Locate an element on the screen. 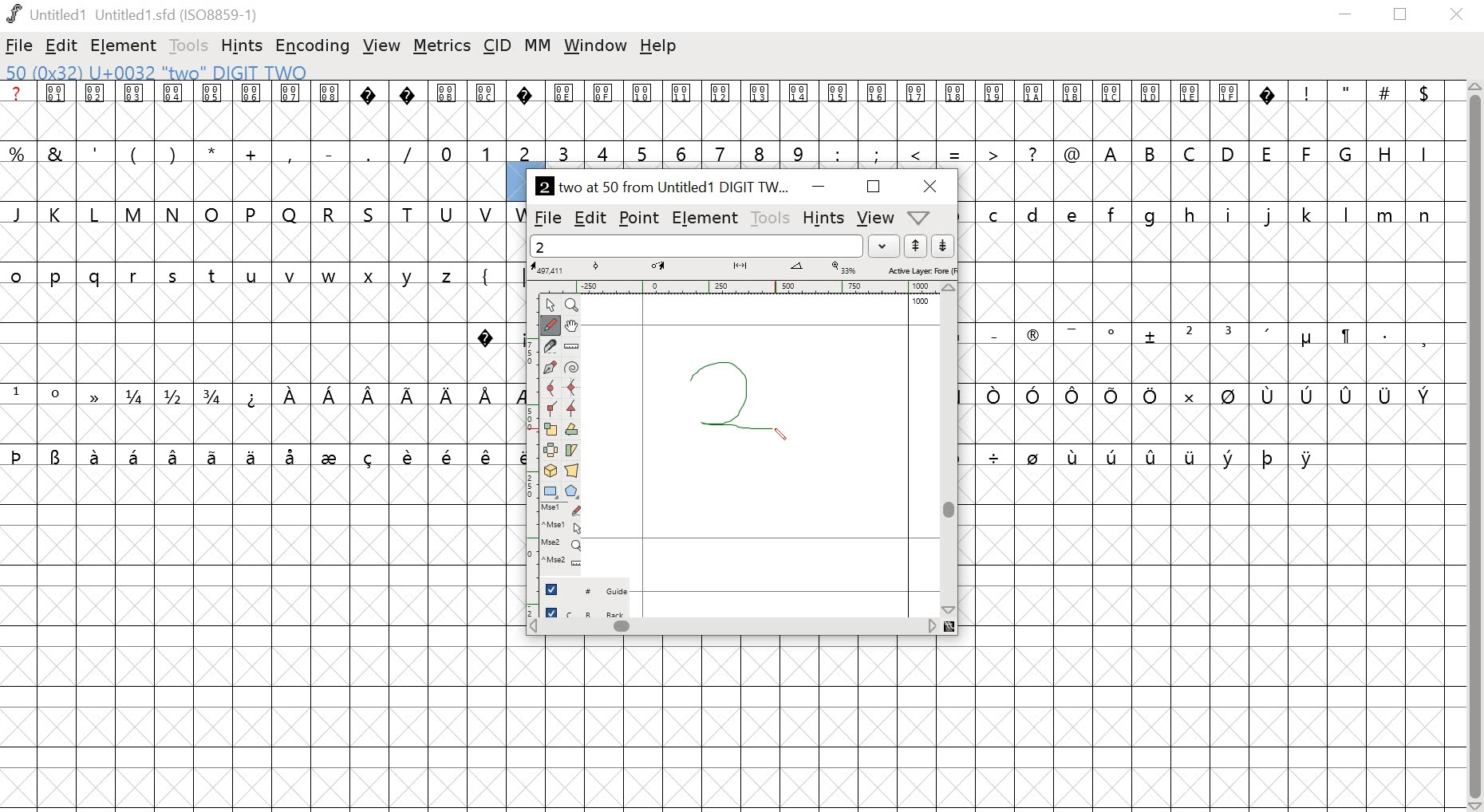  file is located at coordinates (547, 217).